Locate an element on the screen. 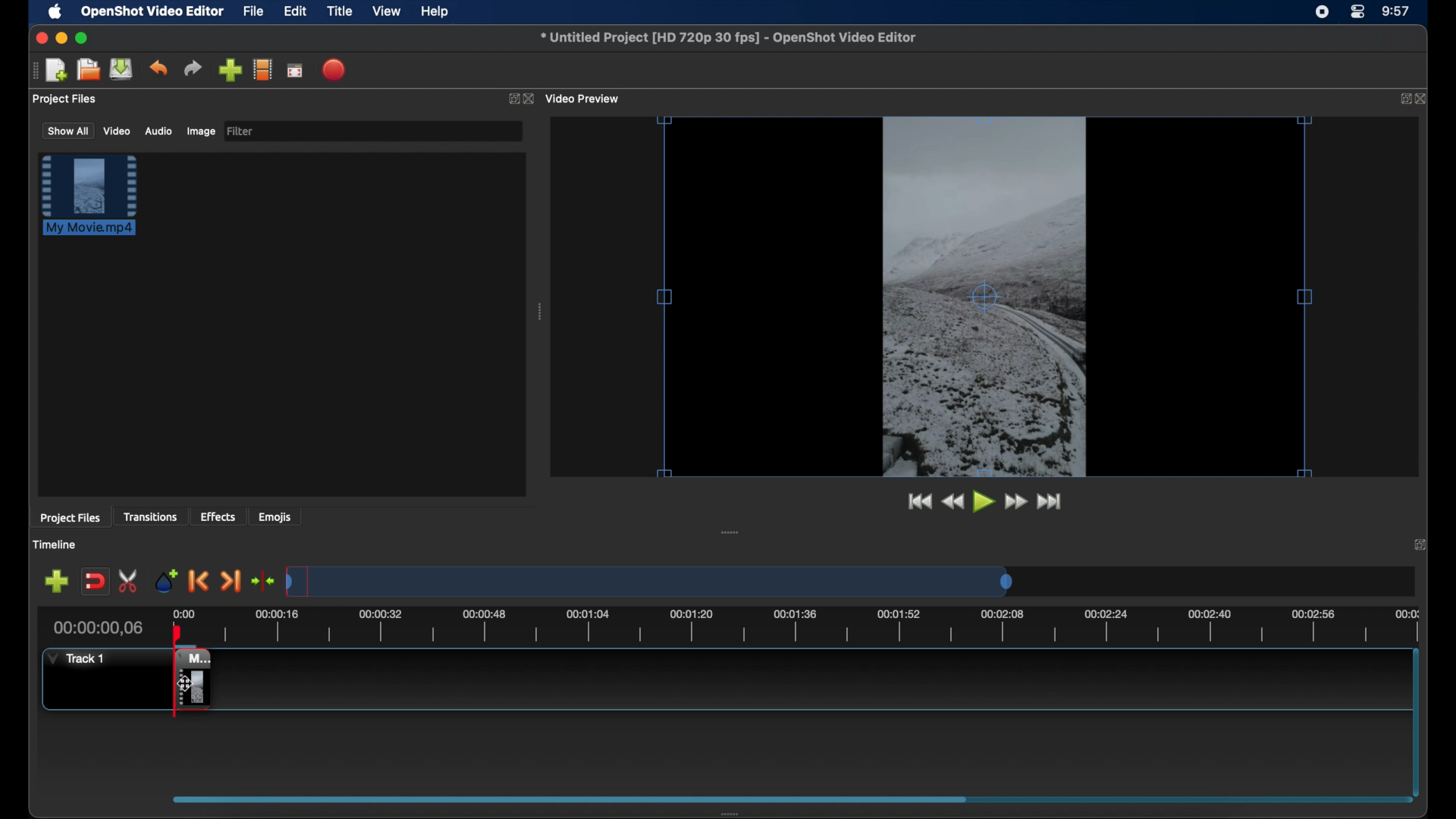  close is located at coordinates (39, 38).